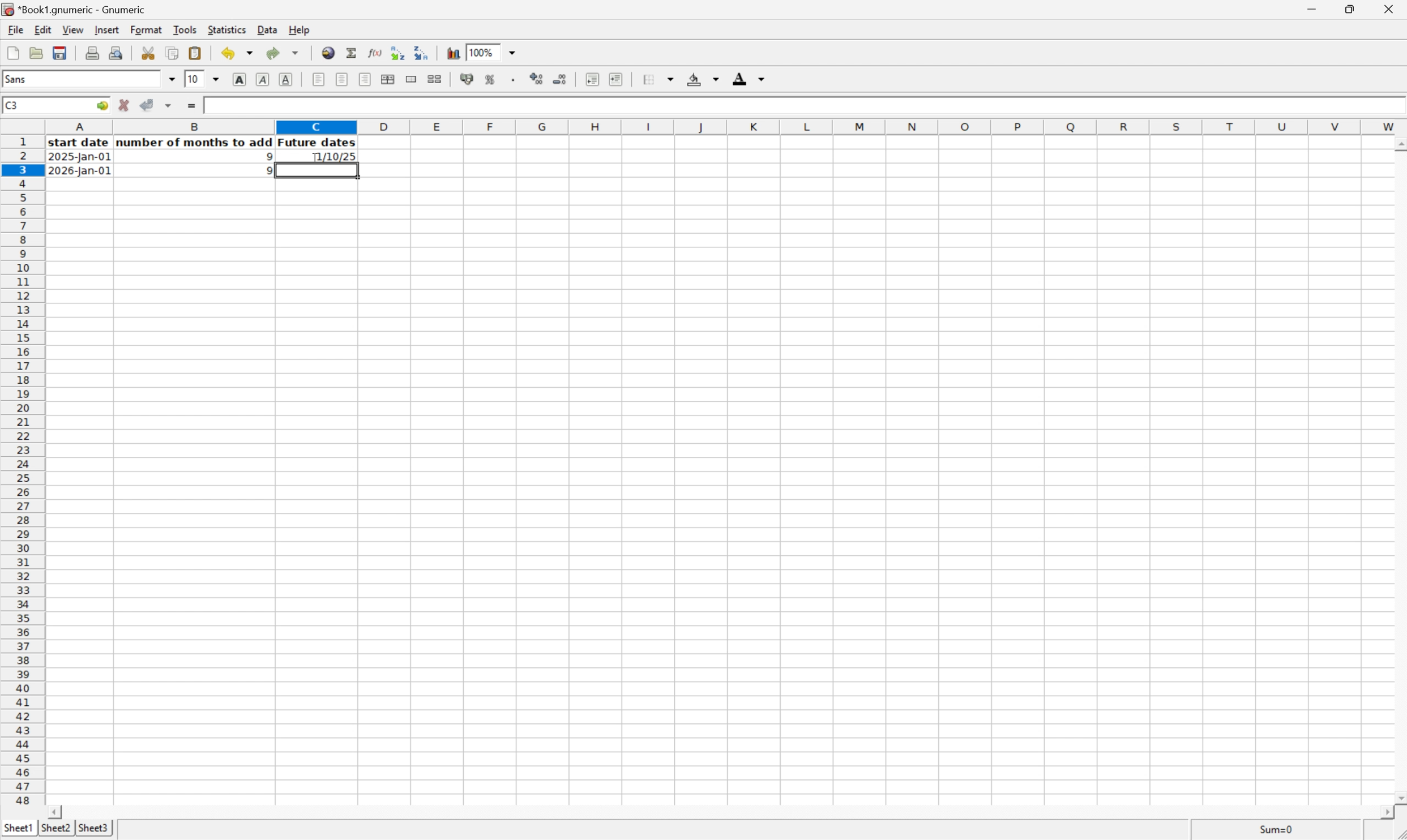  I want to click on Increase the number of decimals displayed, so click(537, 80).